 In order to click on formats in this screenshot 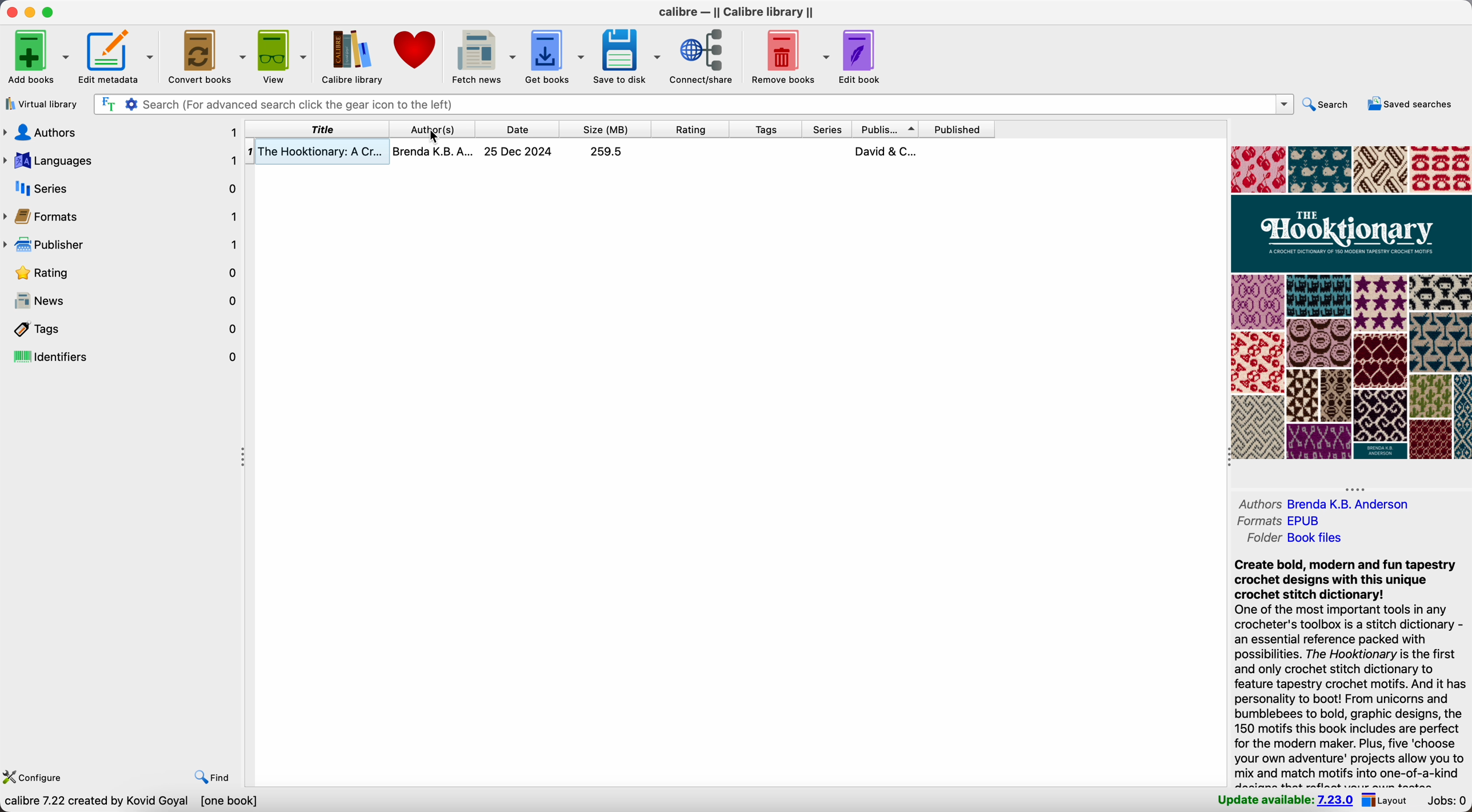, I will do `click(1282, 520)`.